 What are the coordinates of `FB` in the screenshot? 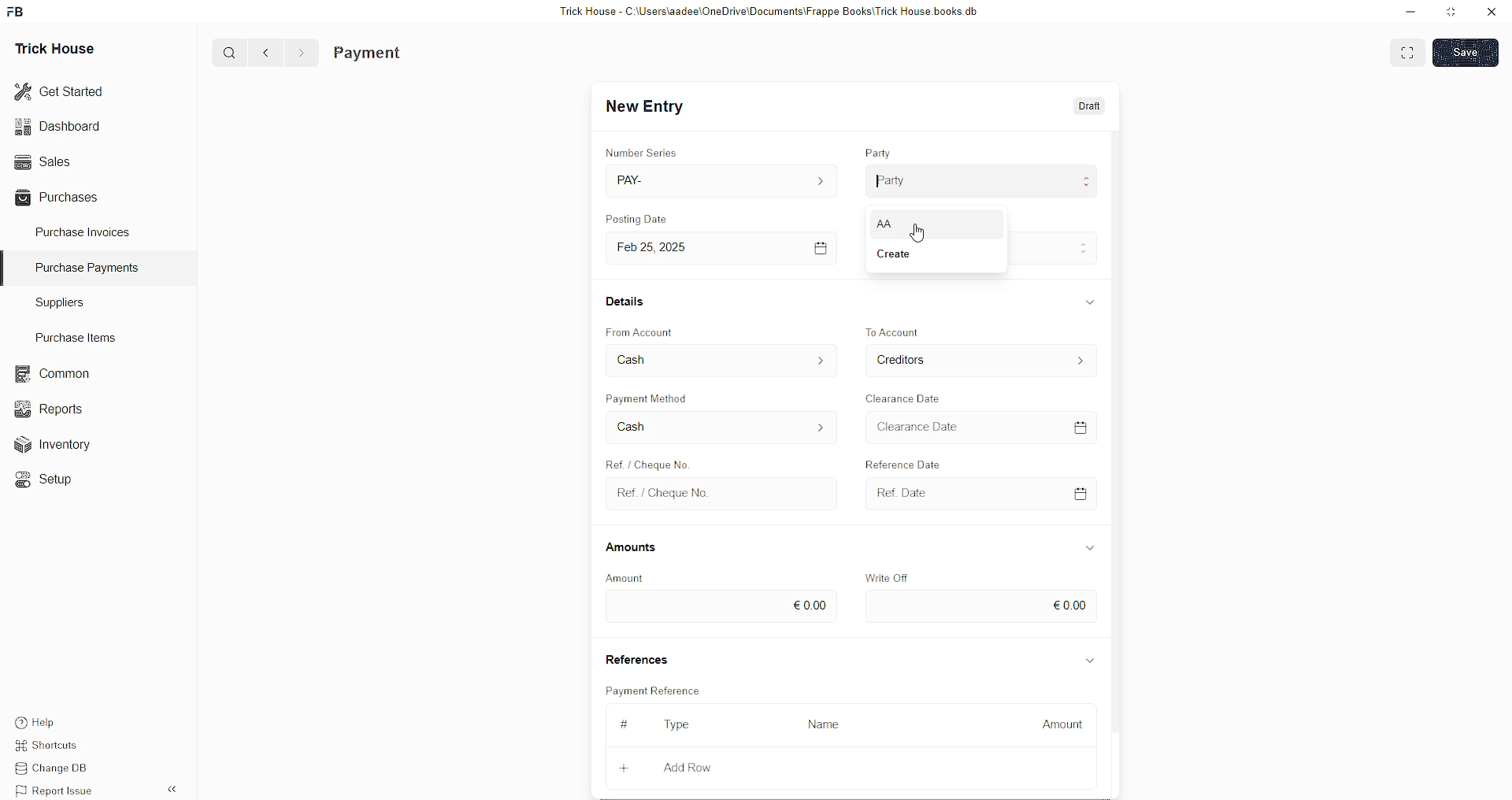 It's located at (18, 10).